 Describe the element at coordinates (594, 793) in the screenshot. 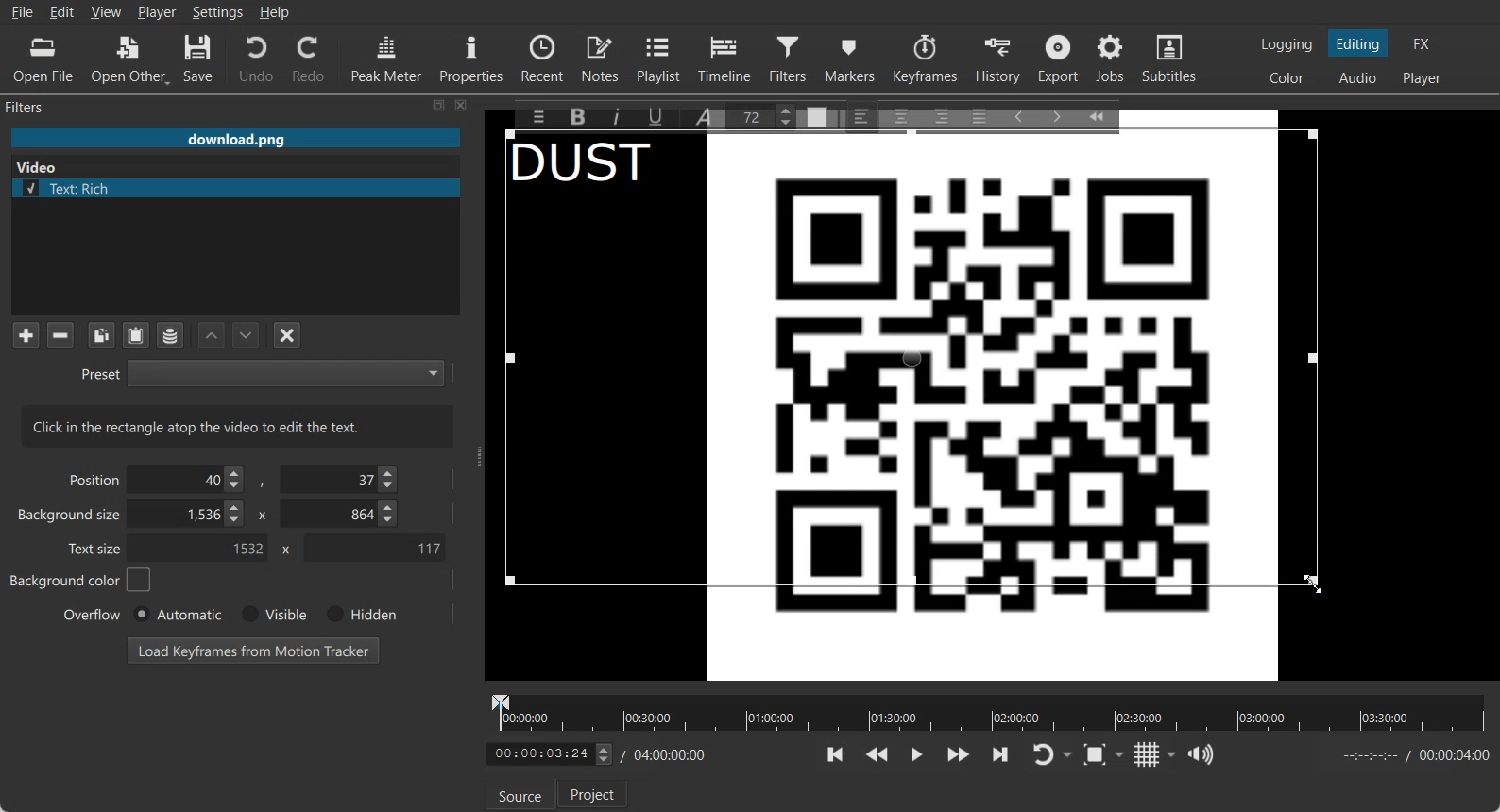

I see `Project` at that location.